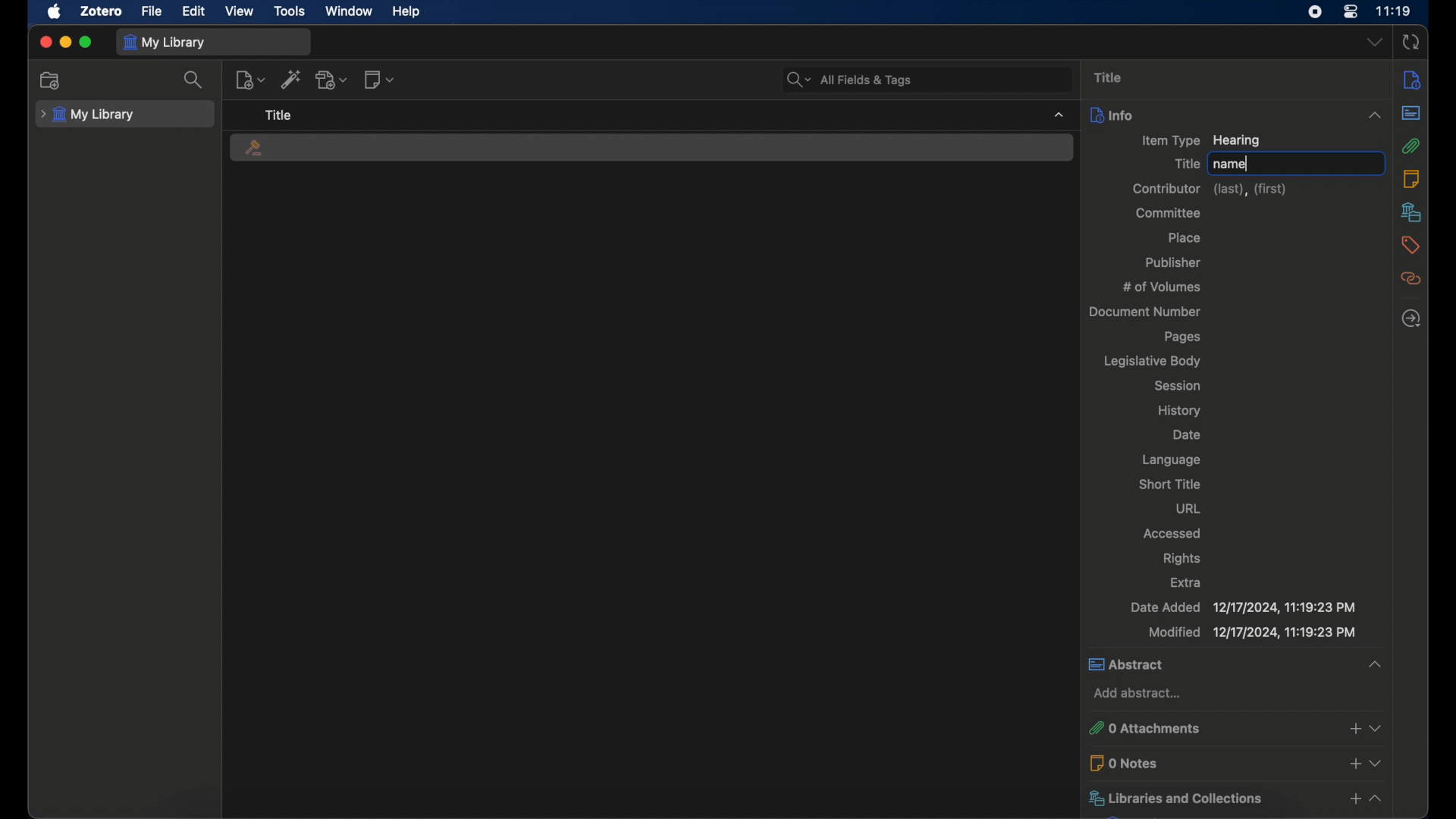 This screenshot has width=1456, height=819. What do you see at coordinates (1238, 729) in the screenshot?
I see `0 attachments` at bounding box center [1238, 729].